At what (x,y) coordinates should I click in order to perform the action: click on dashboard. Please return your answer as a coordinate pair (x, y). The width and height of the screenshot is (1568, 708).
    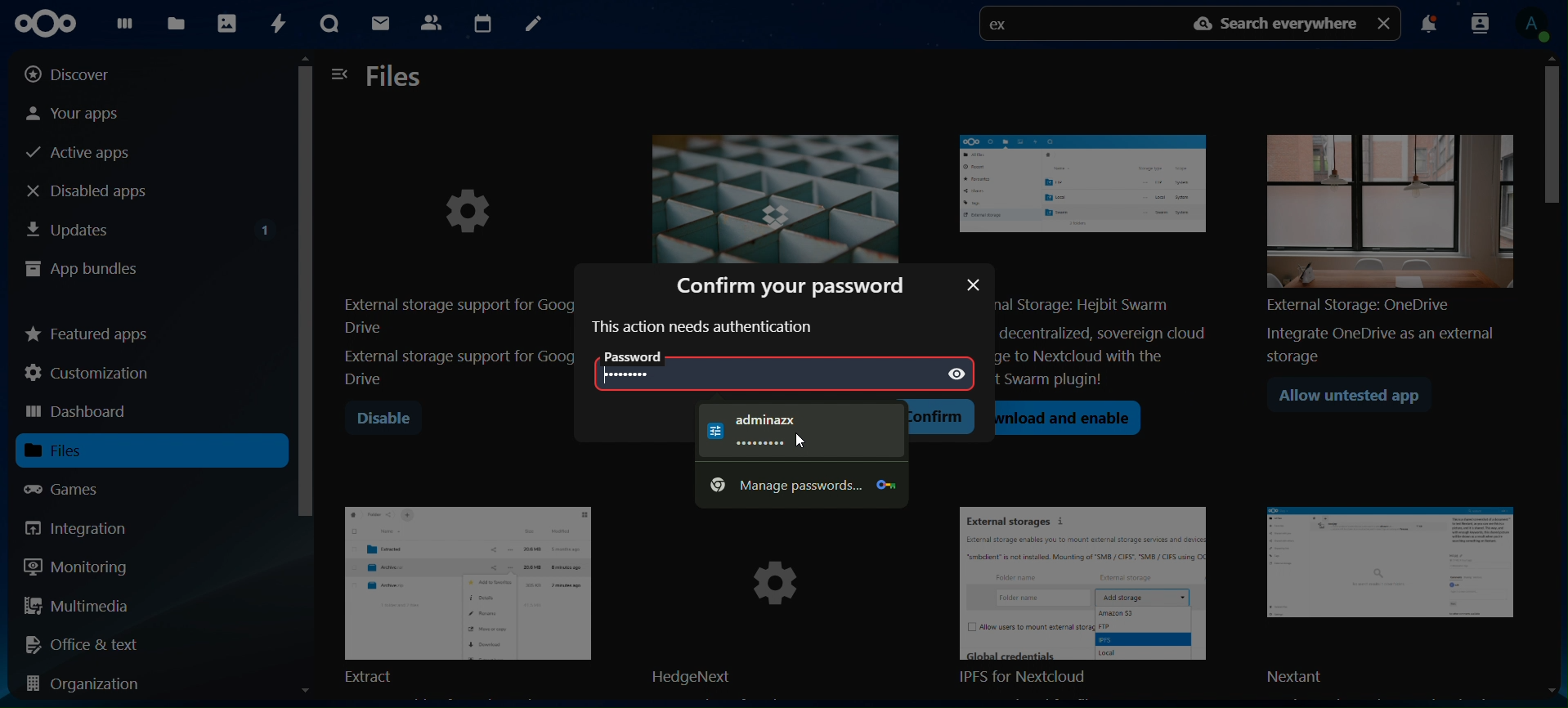
    Looking at the image, I should click on (124, 27).